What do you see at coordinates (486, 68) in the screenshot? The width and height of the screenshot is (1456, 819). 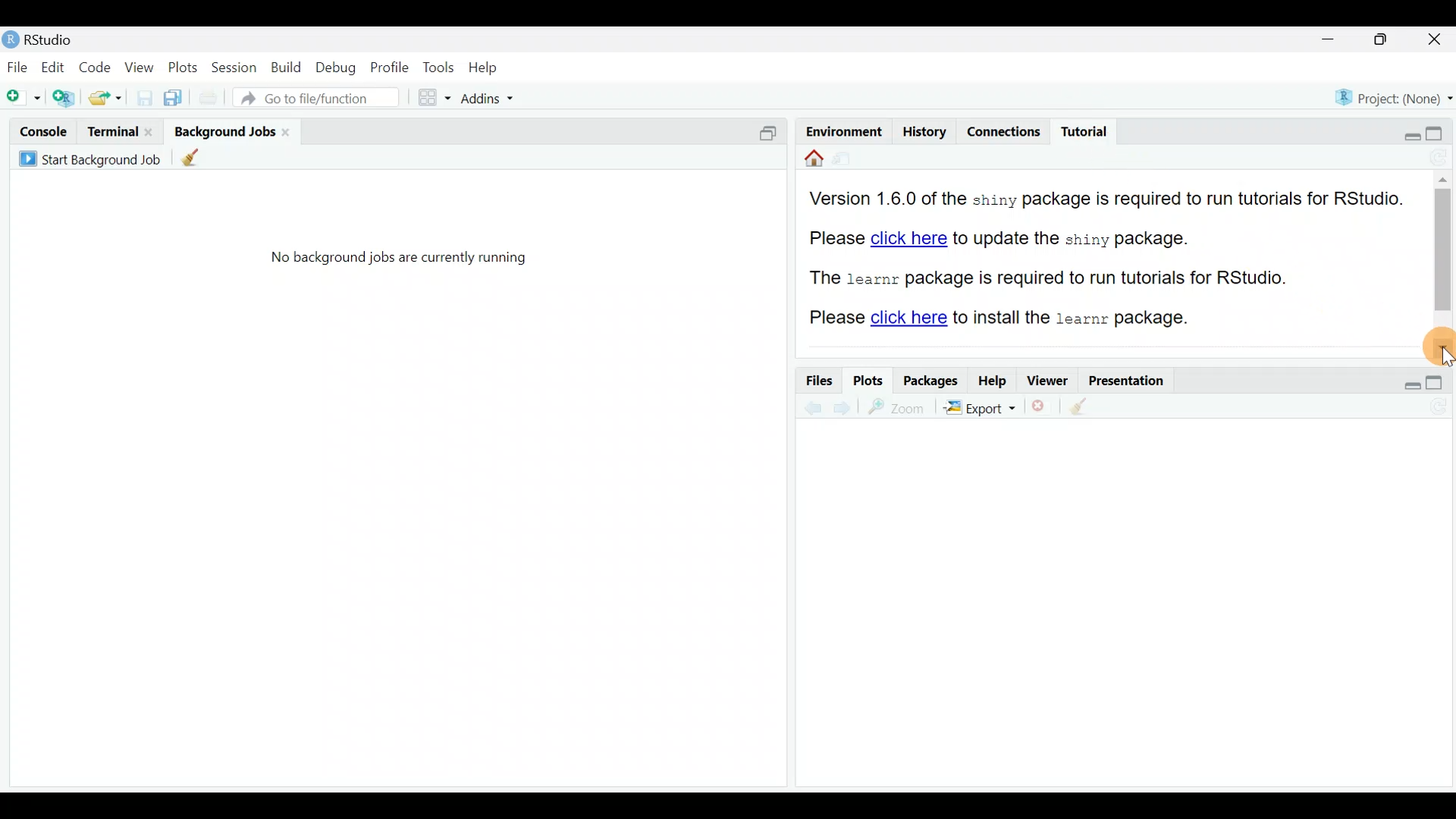 I see `Help` at bounding box center [486, 68].